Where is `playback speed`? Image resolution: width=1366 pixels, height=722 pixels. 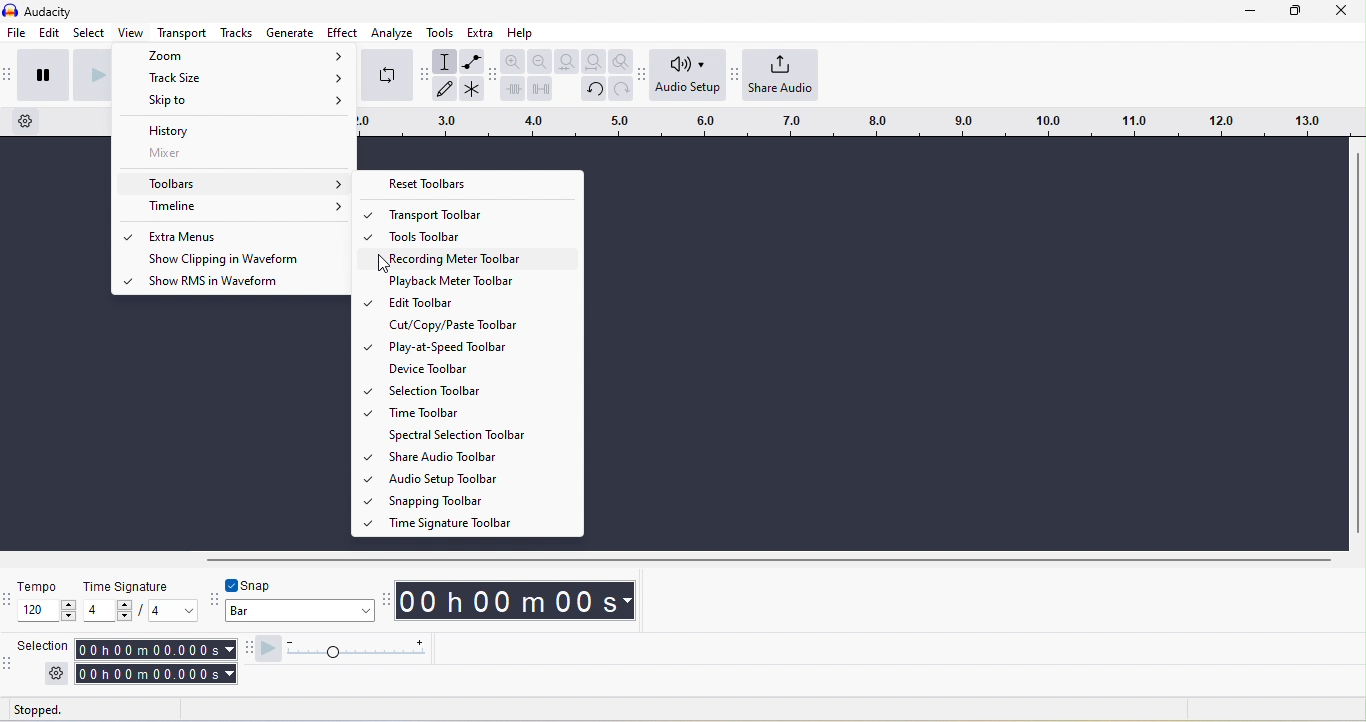 playback speed is located at coordinates (355, 650).